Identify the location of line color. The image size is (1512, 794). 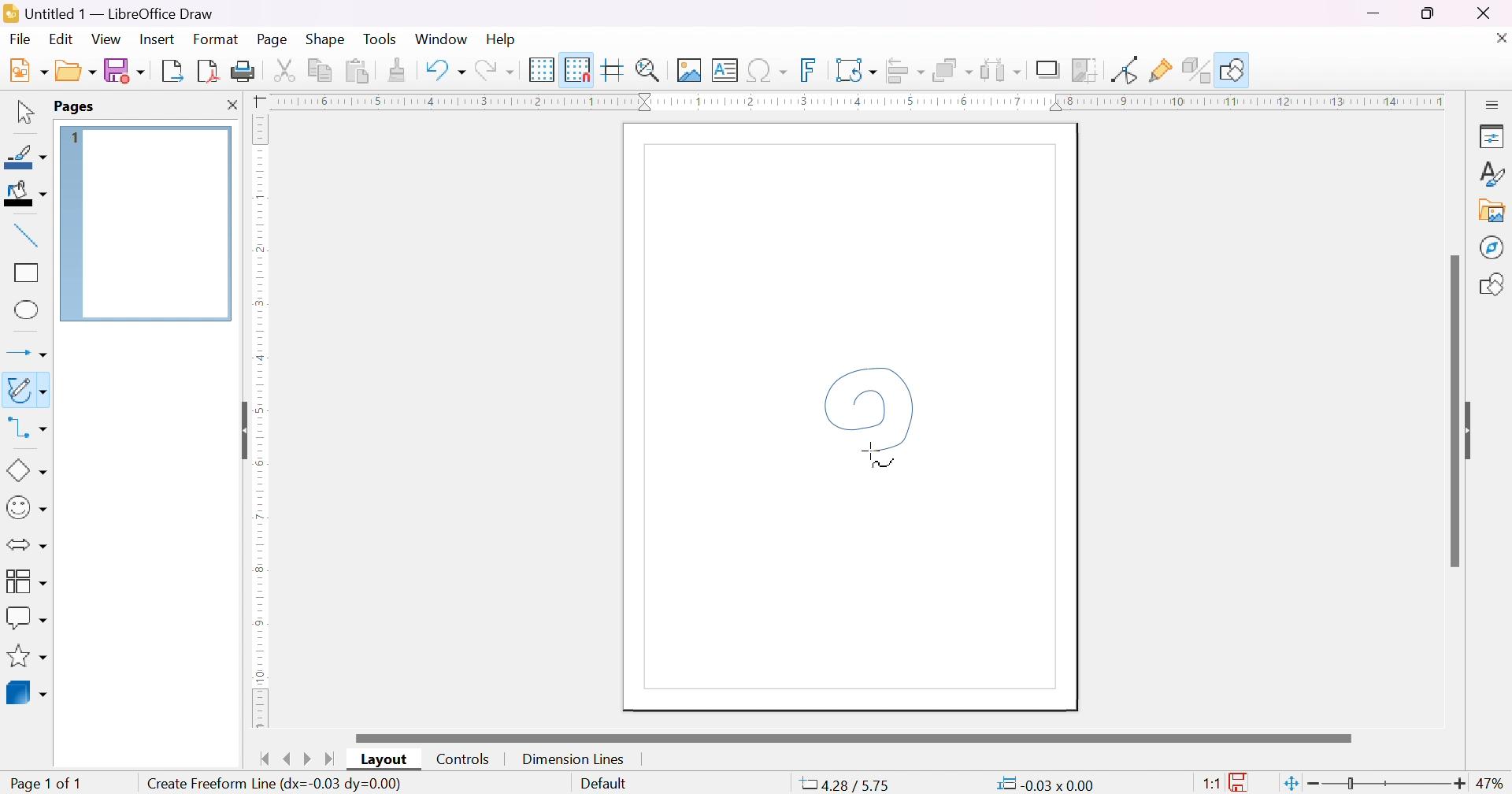
(26, 157).